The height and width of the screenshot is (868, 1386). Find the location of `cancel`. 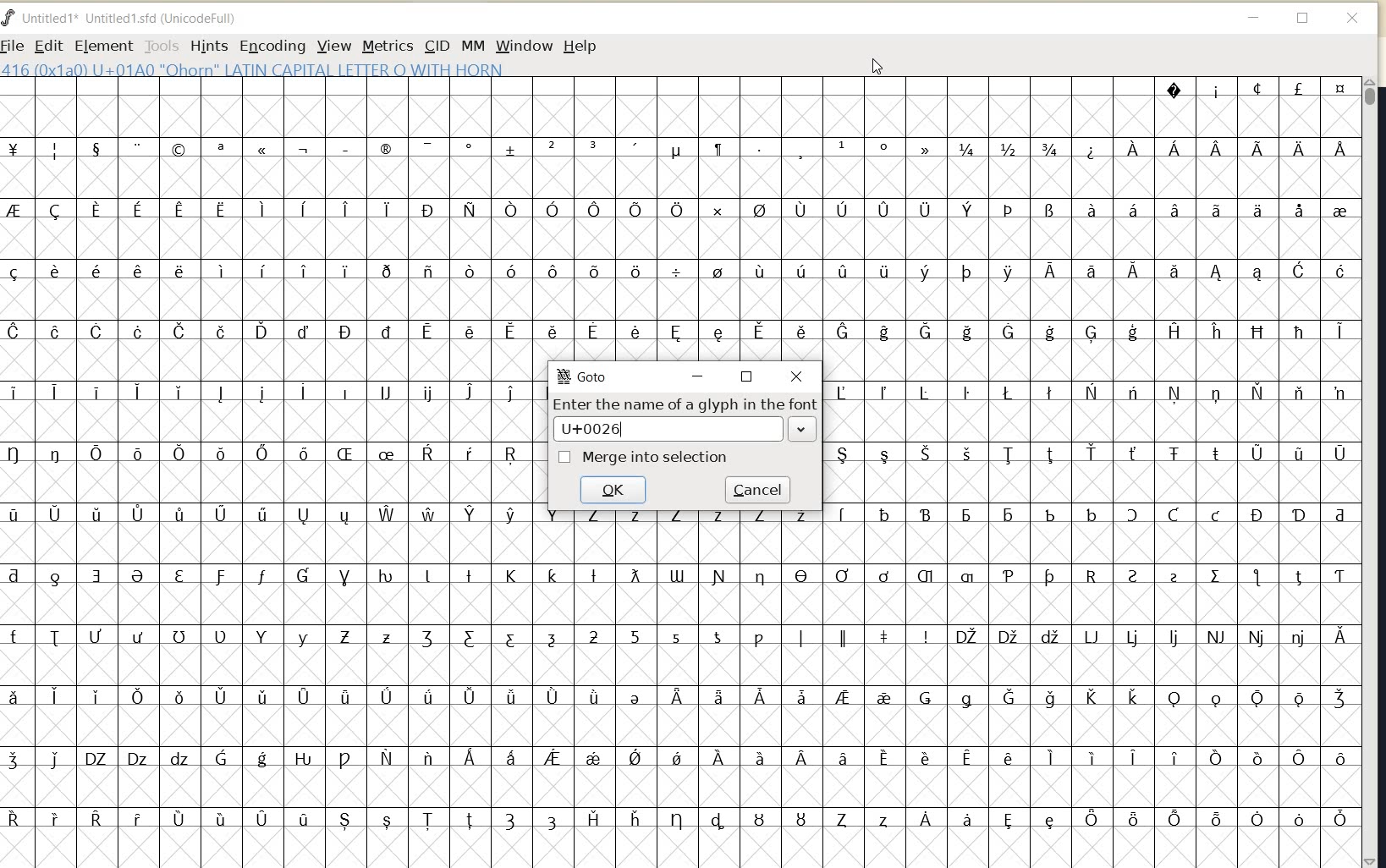

cancel is located at coordinates (757, 488).